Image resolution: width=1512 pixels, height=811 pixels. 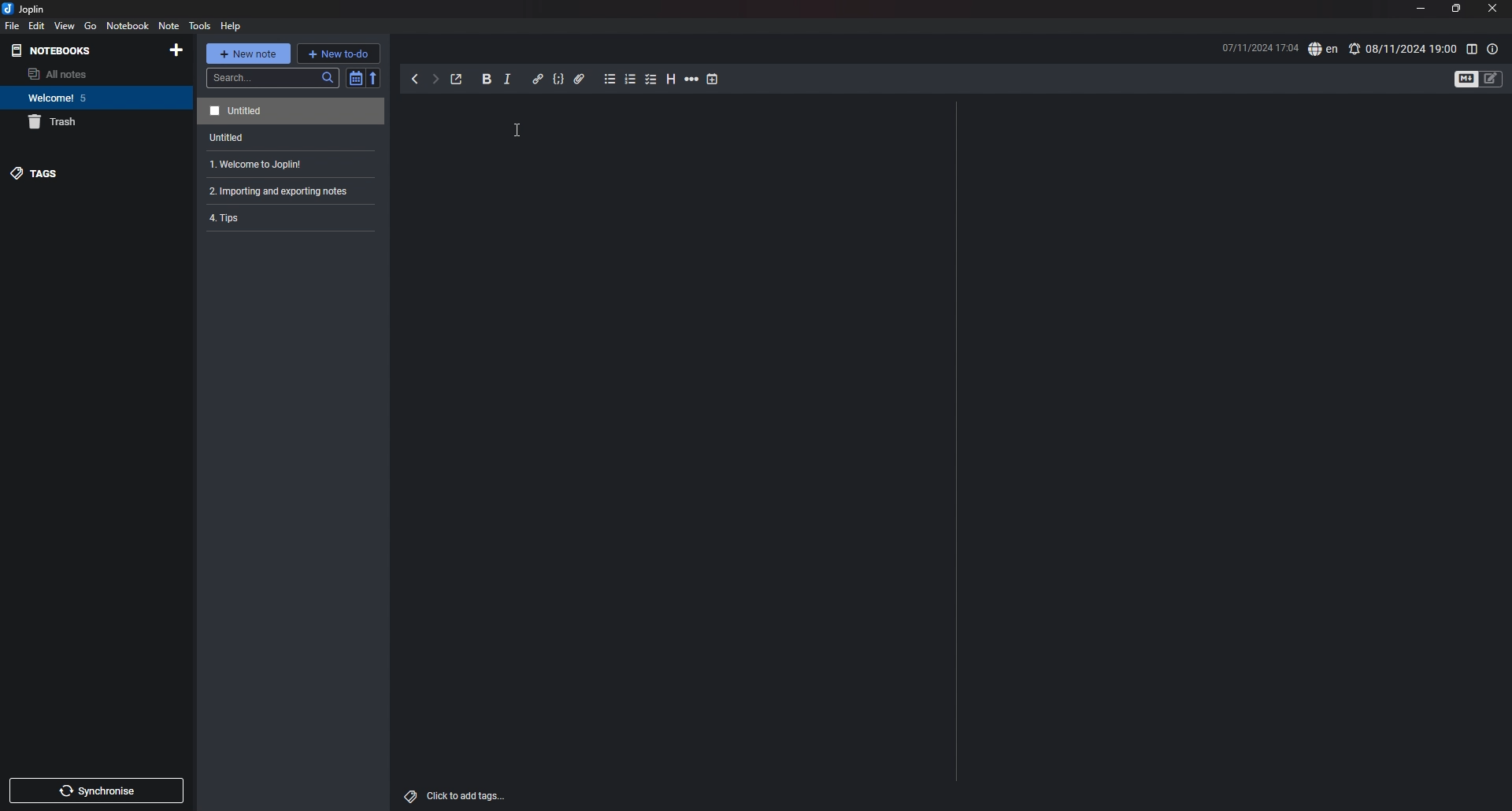 I want to click on toggle sort order, so click(x=354, y=78).